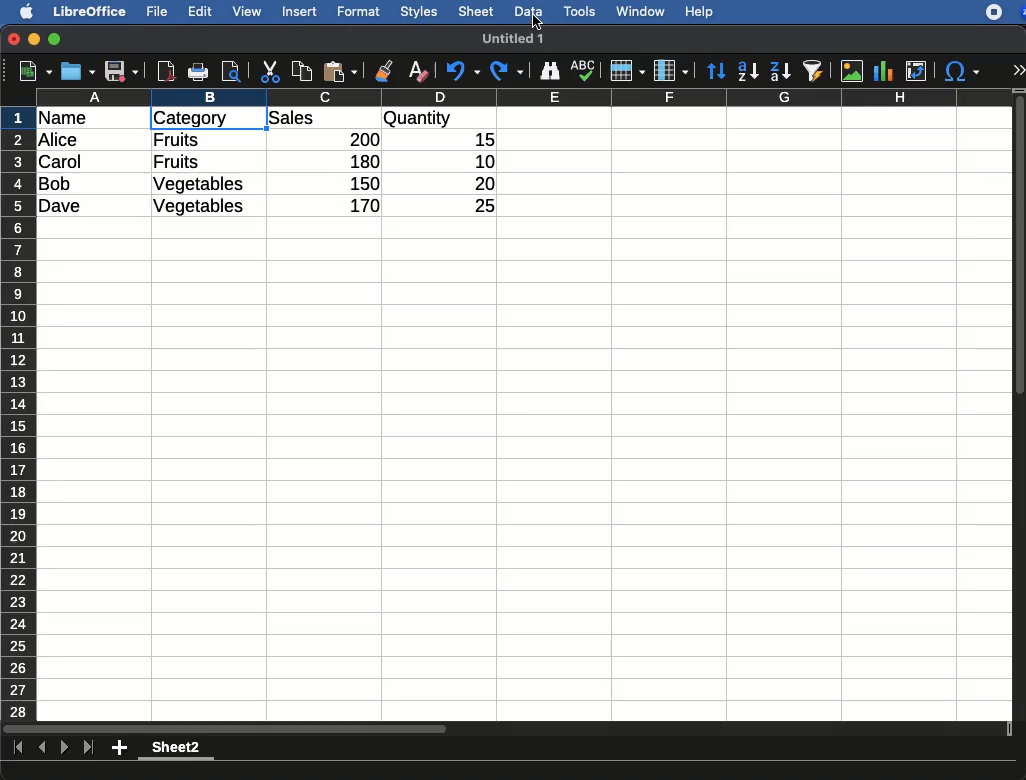 The width and height of the screenshot is (1026, 780). Describe the element at coordinates (177, 139) in the screenshot. I see `Fruits` at that location.